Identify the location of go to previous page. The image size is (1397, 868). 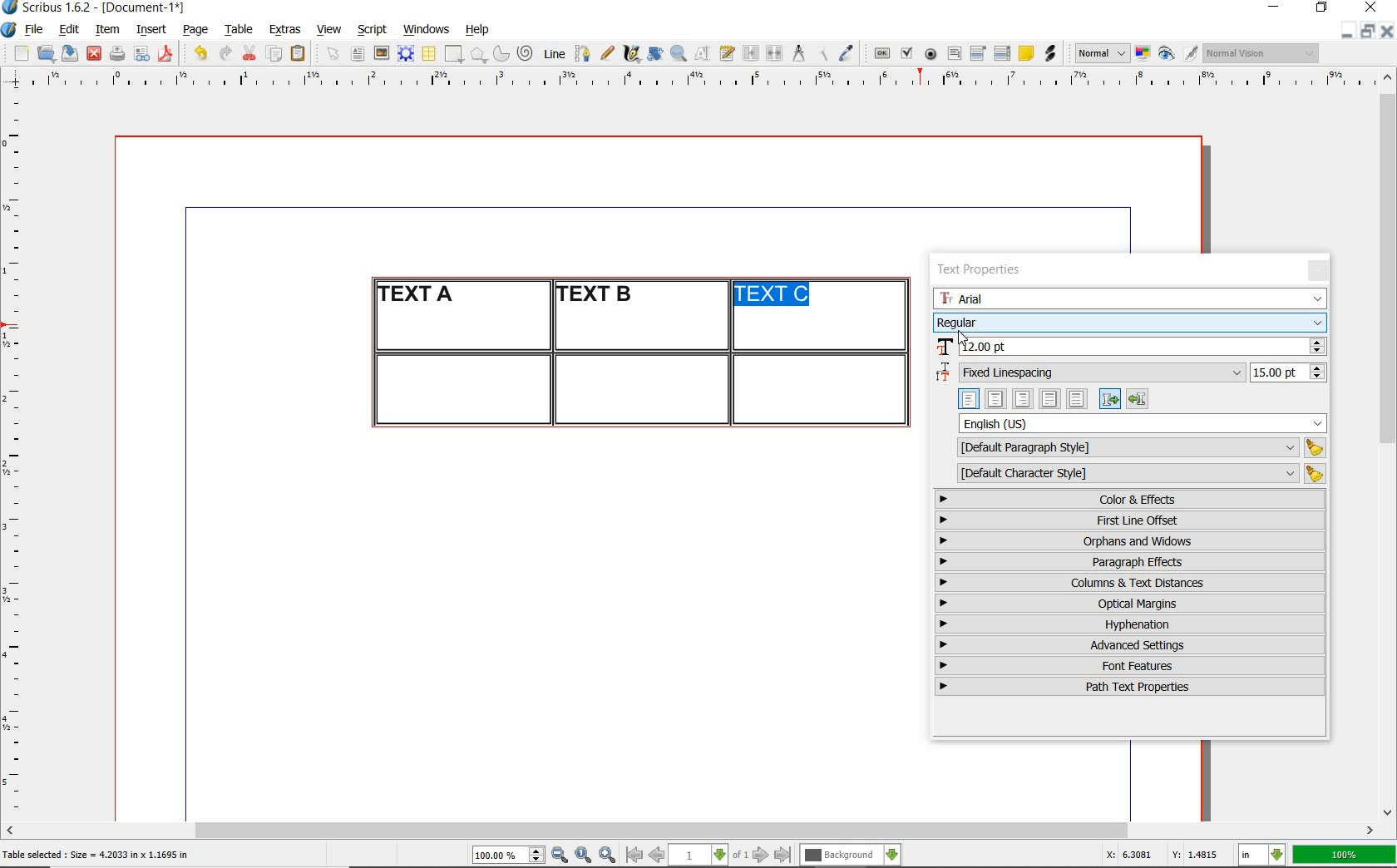
(656, 856).